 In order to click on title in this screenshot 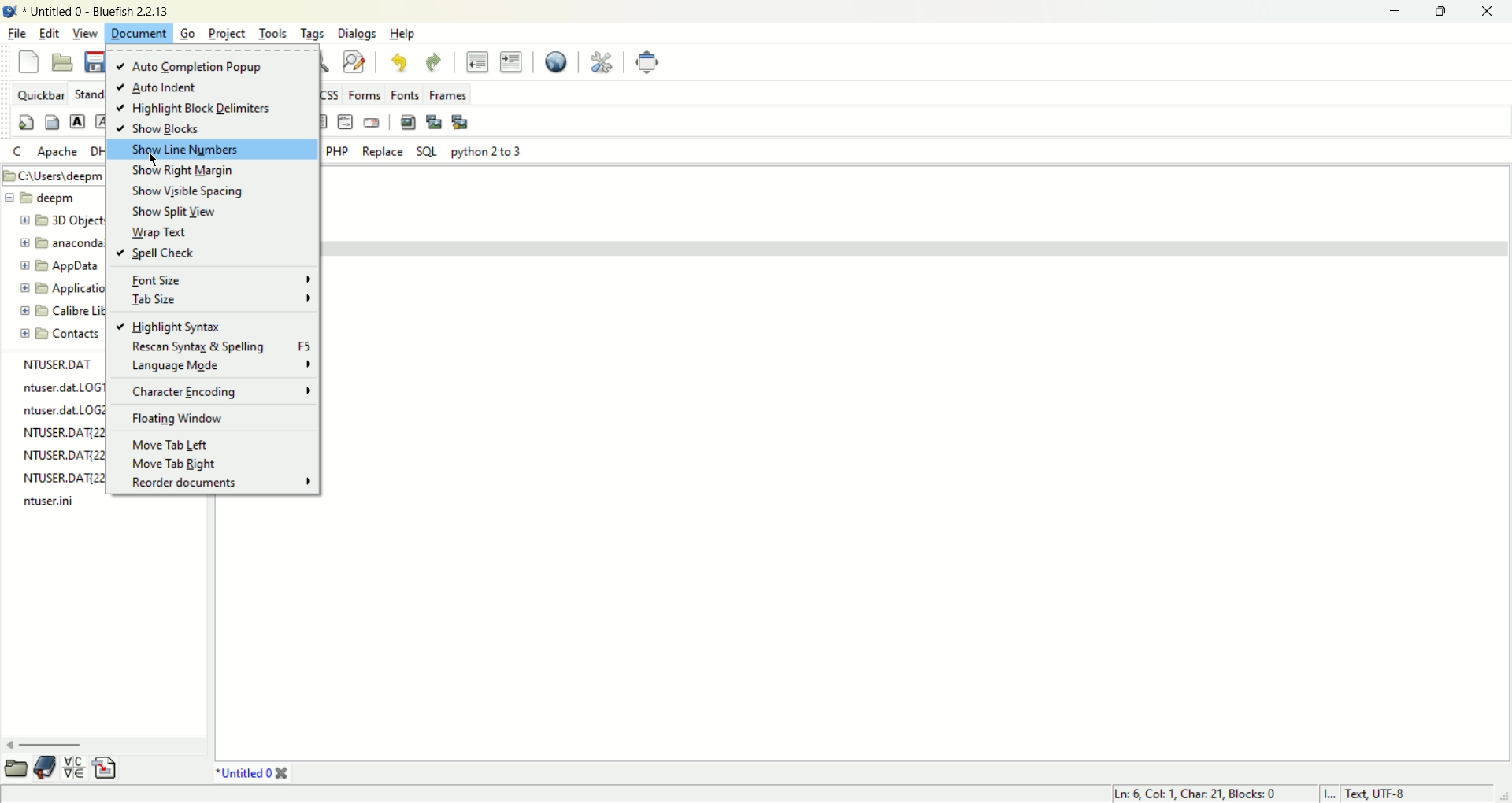, I will do `click(97, 11)`.